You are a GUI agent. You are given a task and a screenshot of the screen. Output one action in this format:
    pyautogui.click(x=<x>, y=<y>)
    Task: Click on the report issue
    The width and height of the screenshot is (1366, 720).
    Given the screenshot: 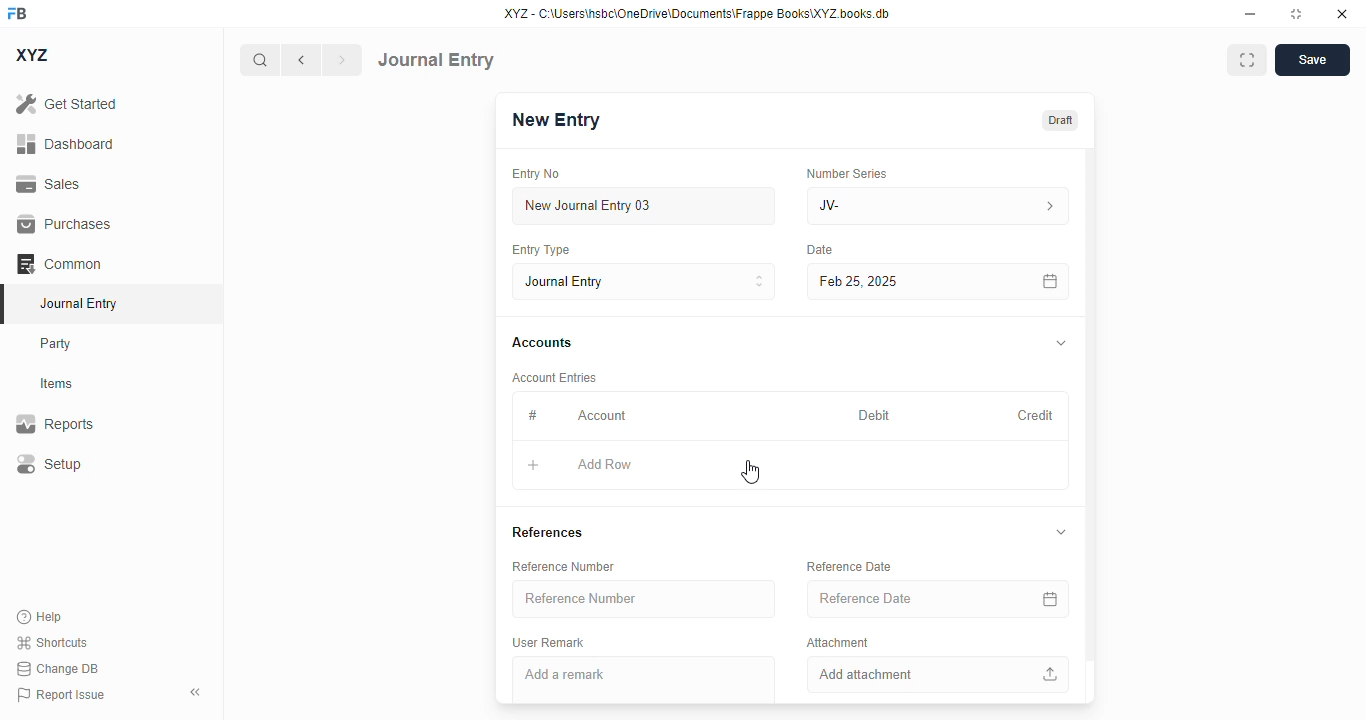 What is the action you would take?
    pyautogui.click(x=61, y=695)
    